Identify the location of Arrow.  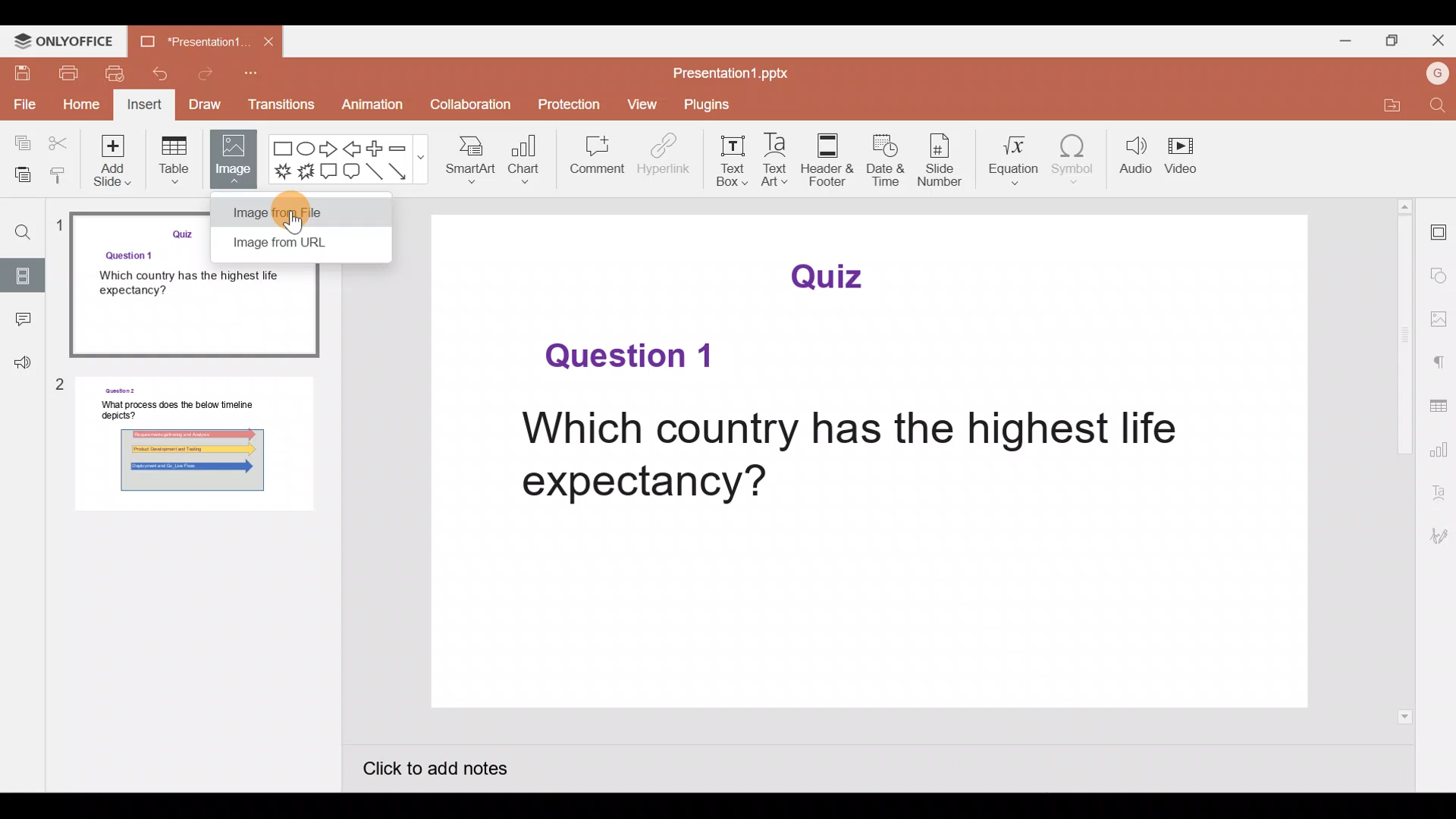
(402, 174).